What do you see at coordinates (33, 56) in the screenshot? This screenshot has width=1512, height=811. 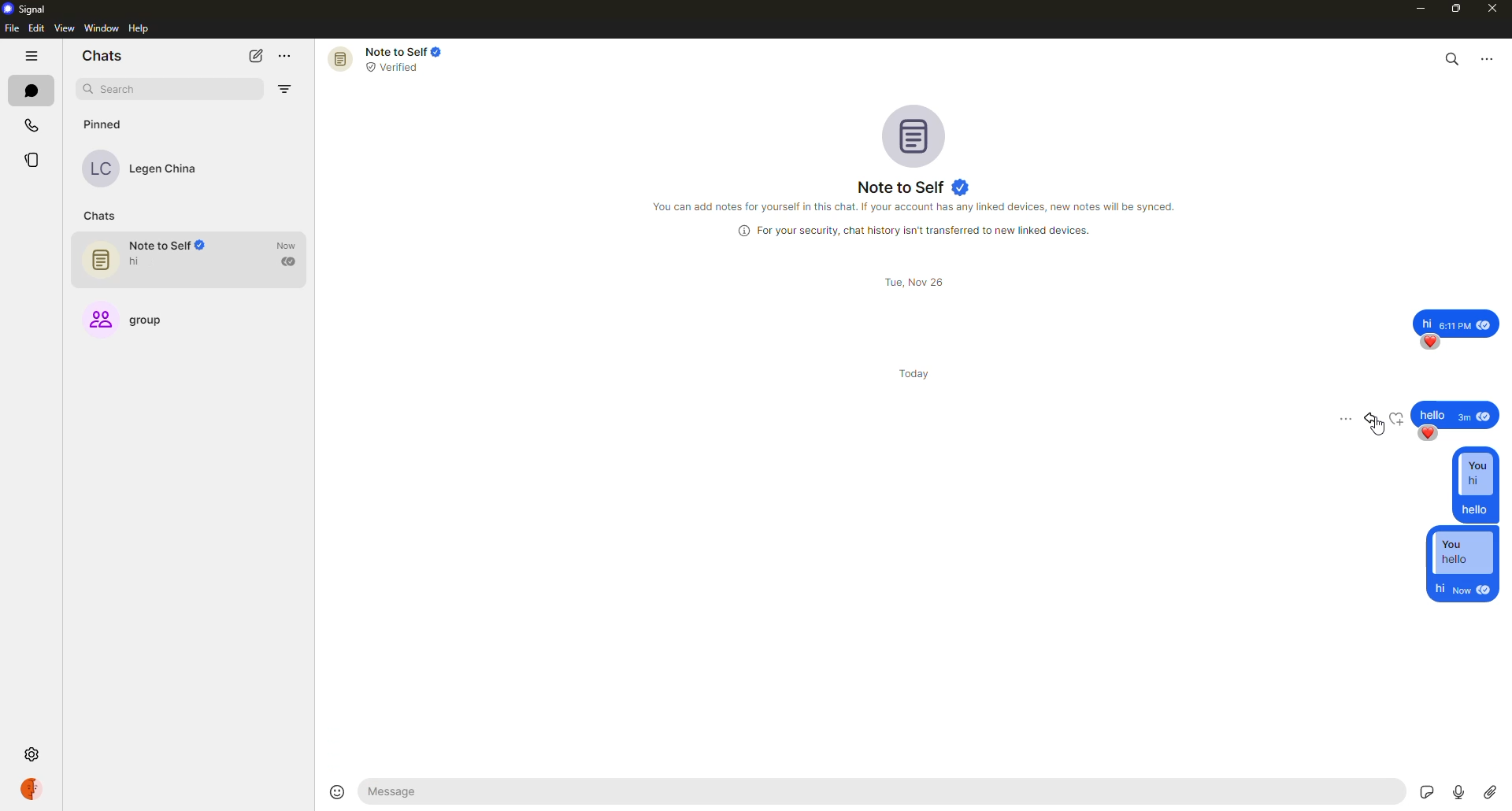 I see `hide tabs` at bounding box center [33, 56].